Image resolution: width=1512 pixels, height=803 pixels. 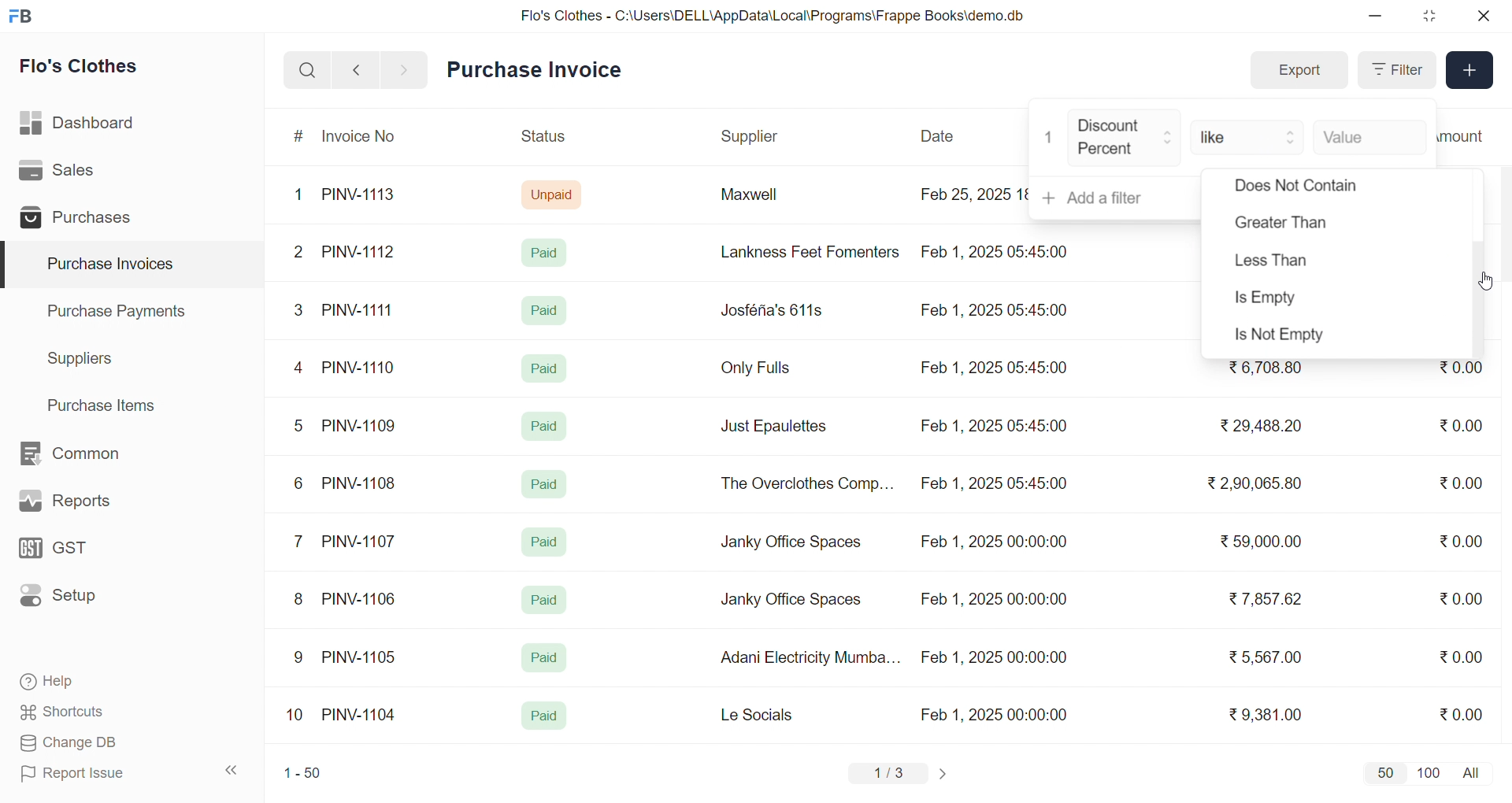 I want to click on Josféria's 611s, so click(x=769, y=308).